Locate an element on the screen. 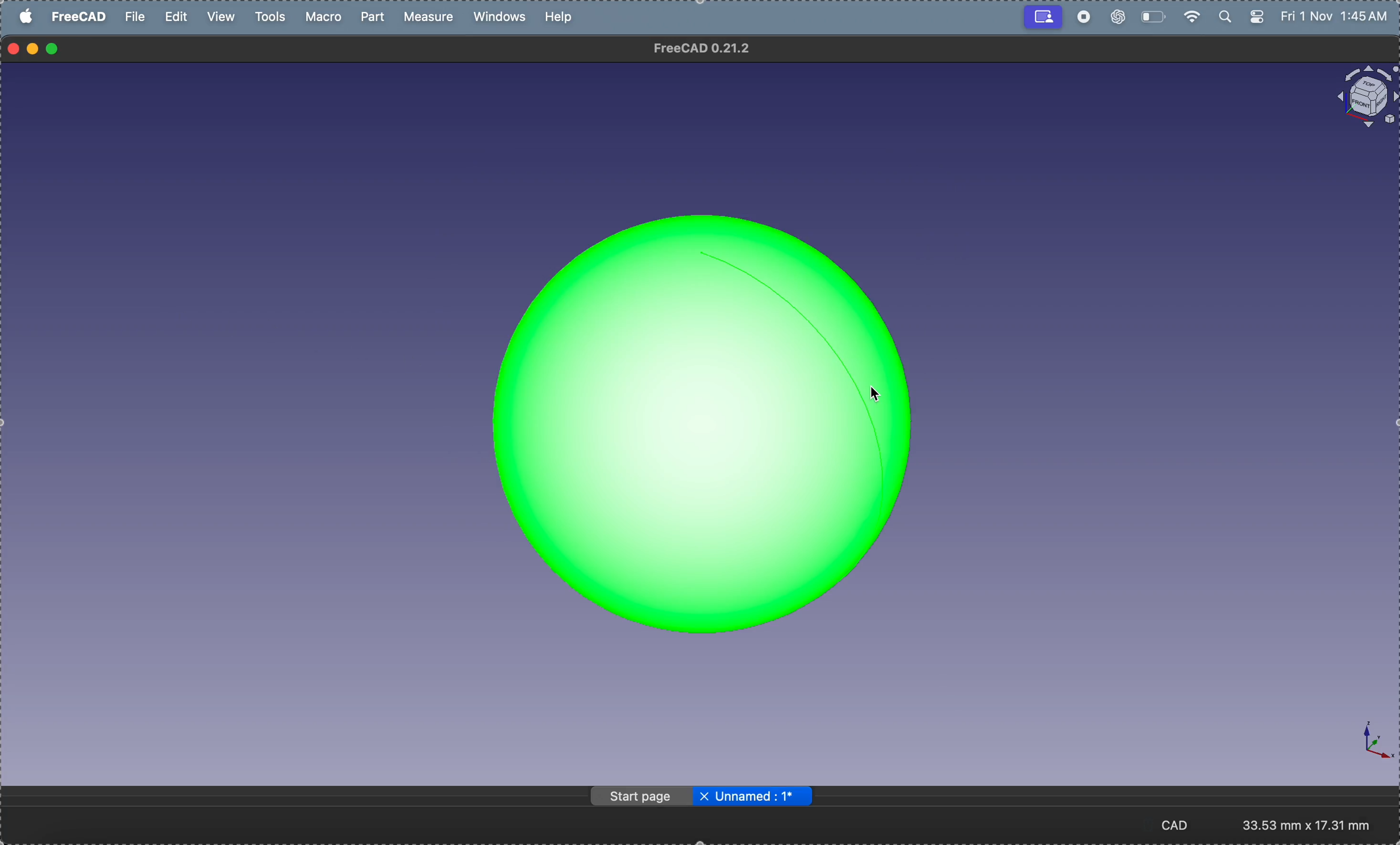 The height and width of the screenshot is (845, 1400). tools is located at coordinates (270, 17).